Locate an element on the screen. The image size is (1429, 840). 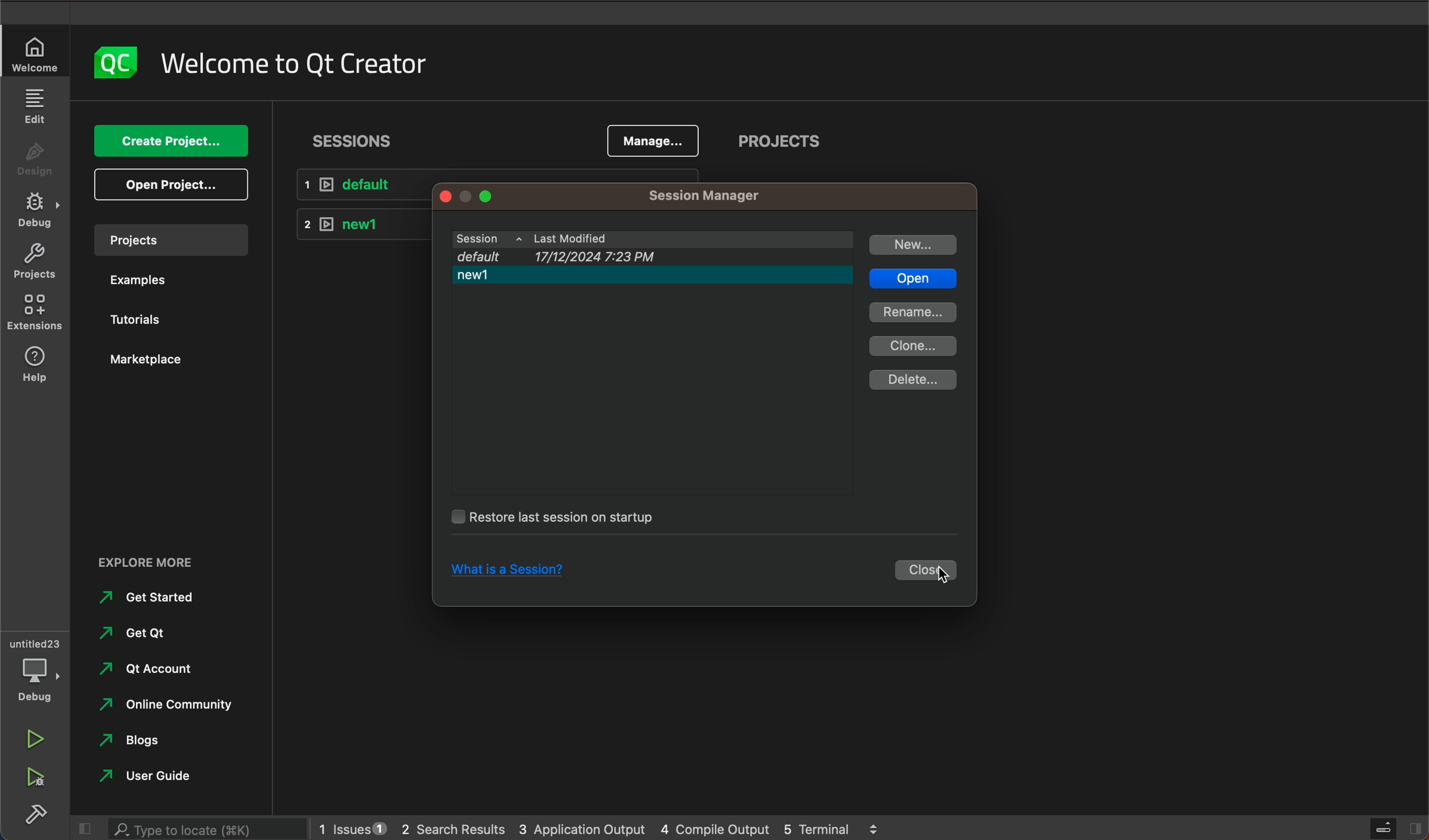
close is located at coordinates (928, 571).